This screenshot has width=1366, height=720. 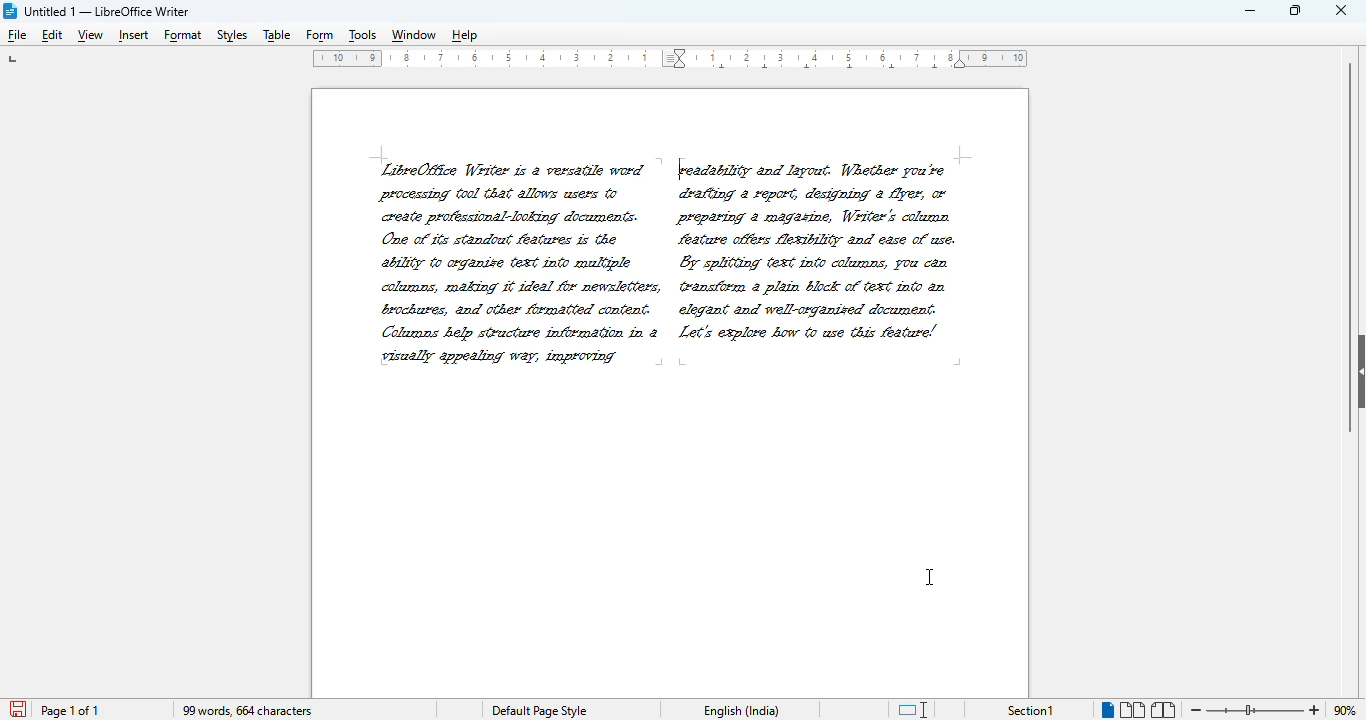 What do you see at coordinates (912, 710) in the screenshot?
I see `standard selection` at bounding box center [912, 710].